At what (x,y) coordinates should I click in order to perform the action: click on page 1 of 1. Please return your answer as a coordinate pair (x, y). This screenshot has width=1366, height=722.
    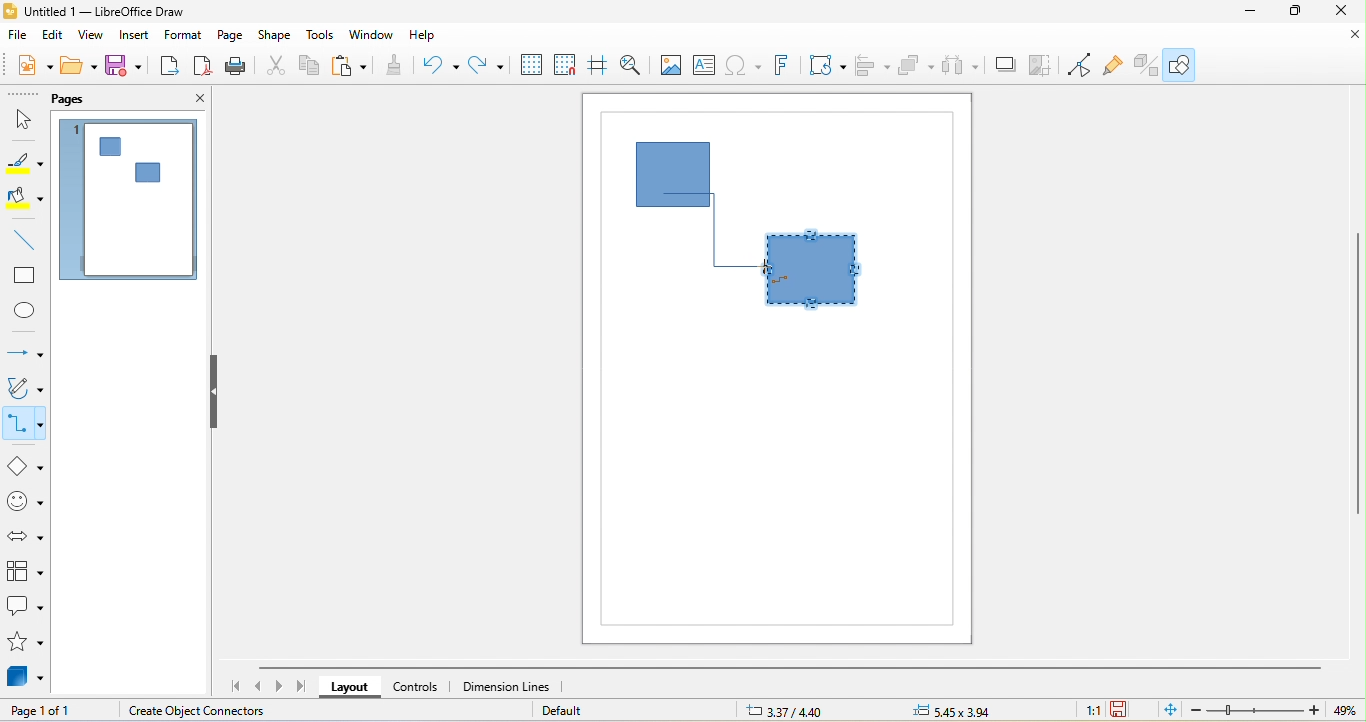
    Looking at the image, I should click on (54, 709).